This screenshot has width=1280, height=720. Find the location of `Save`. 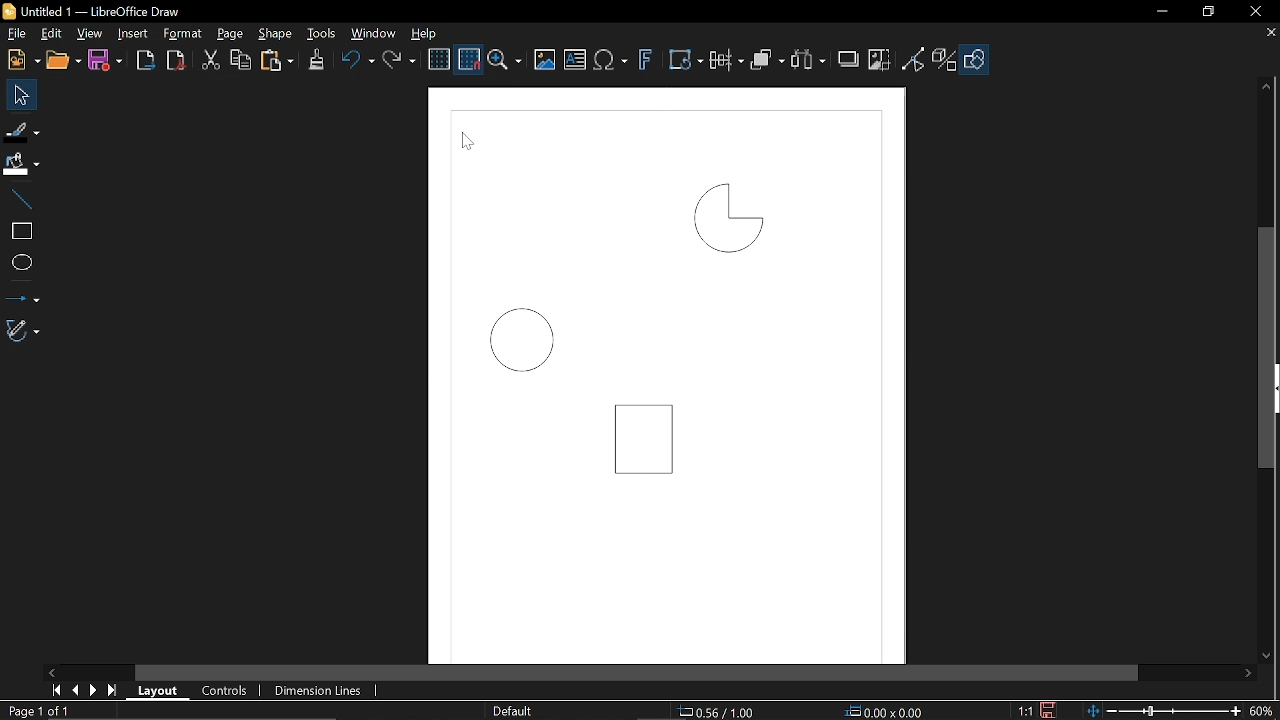

Save is located at coordinates (104, 61).